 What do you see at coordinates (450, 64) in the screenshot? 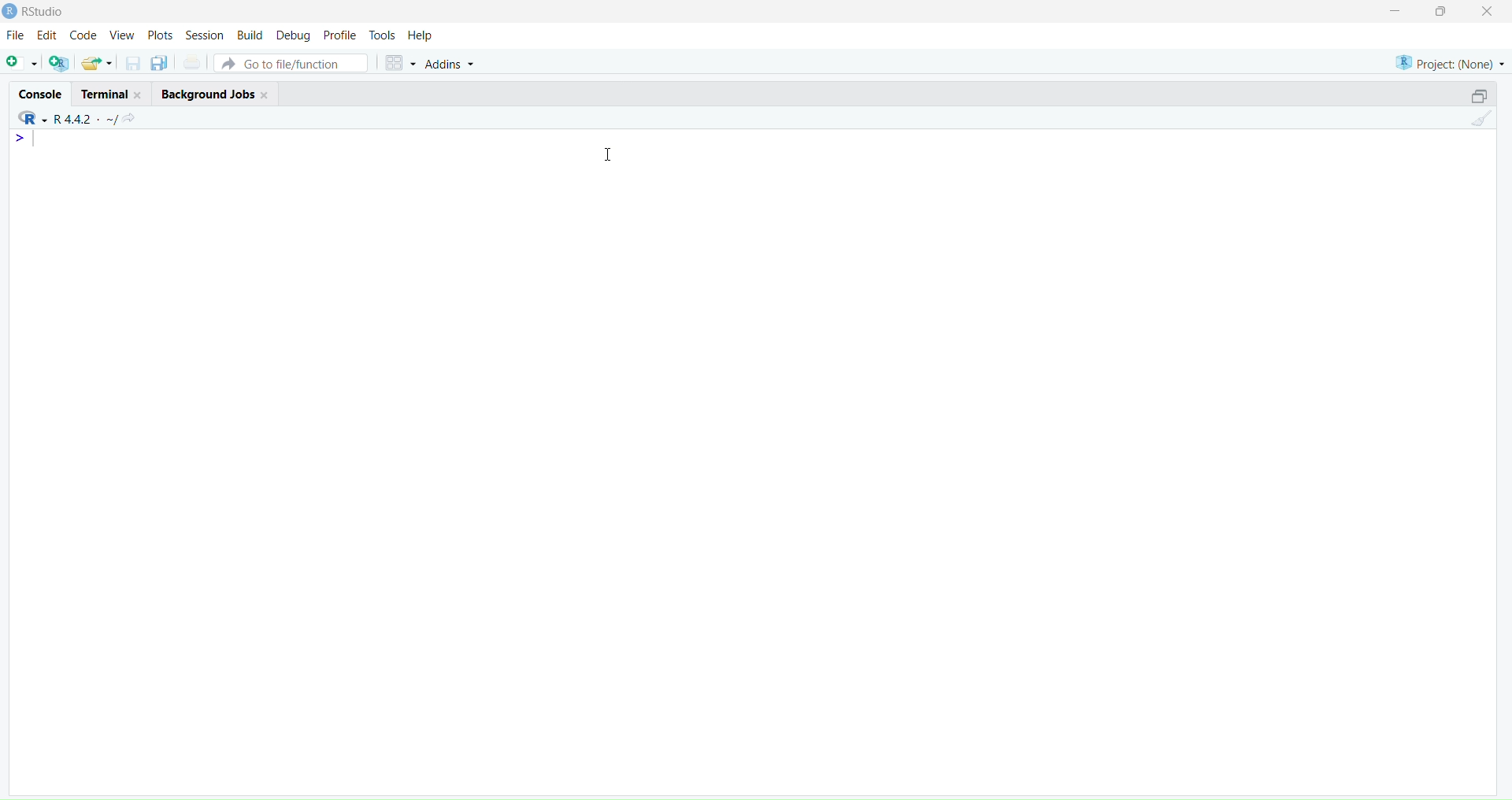
I see `Addins ~` at bounding box center [450, 64].